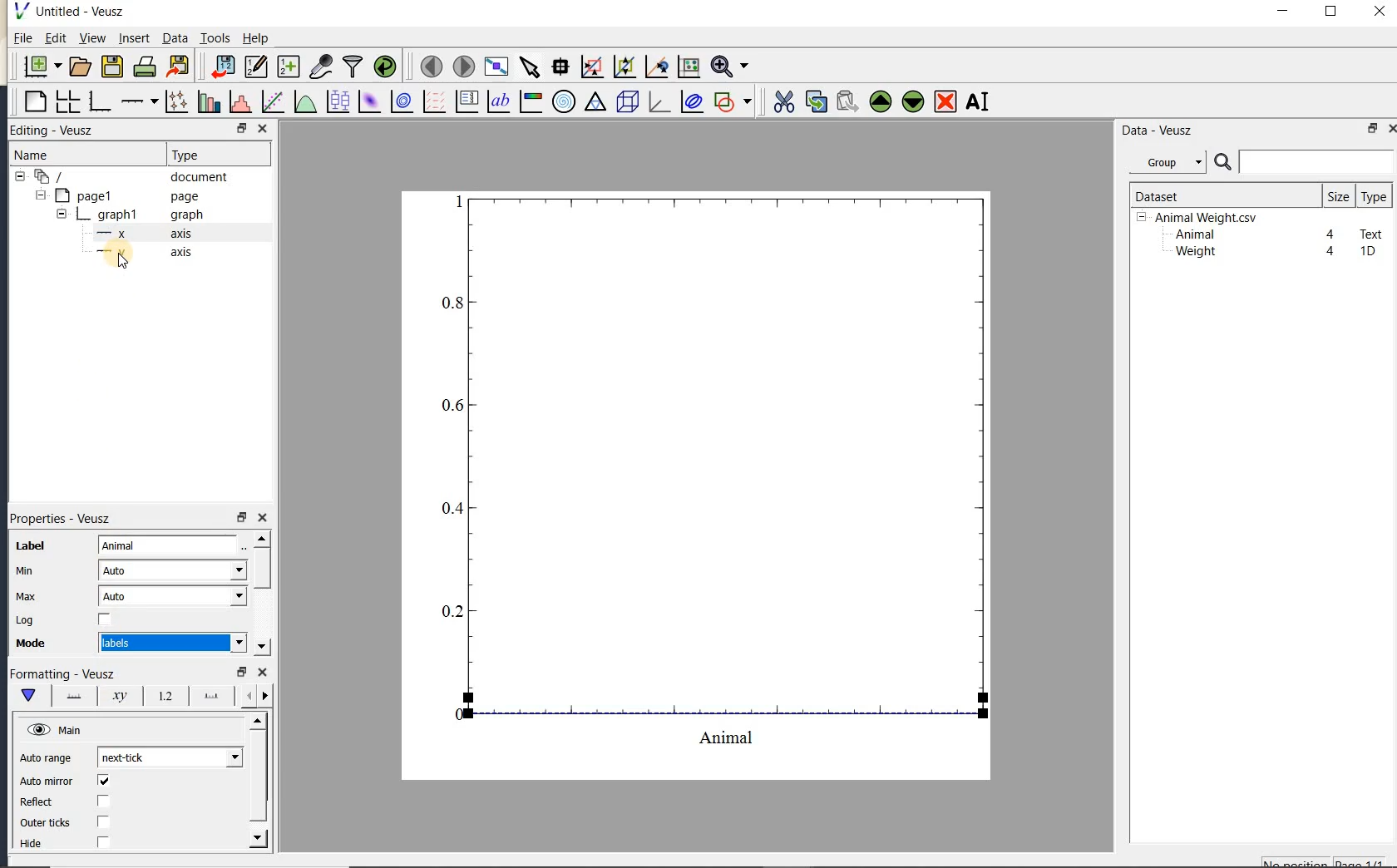  What do you see at coordinates (122, 216) in the screenshot?
I see `graph1` at bounding box center [122, 216].